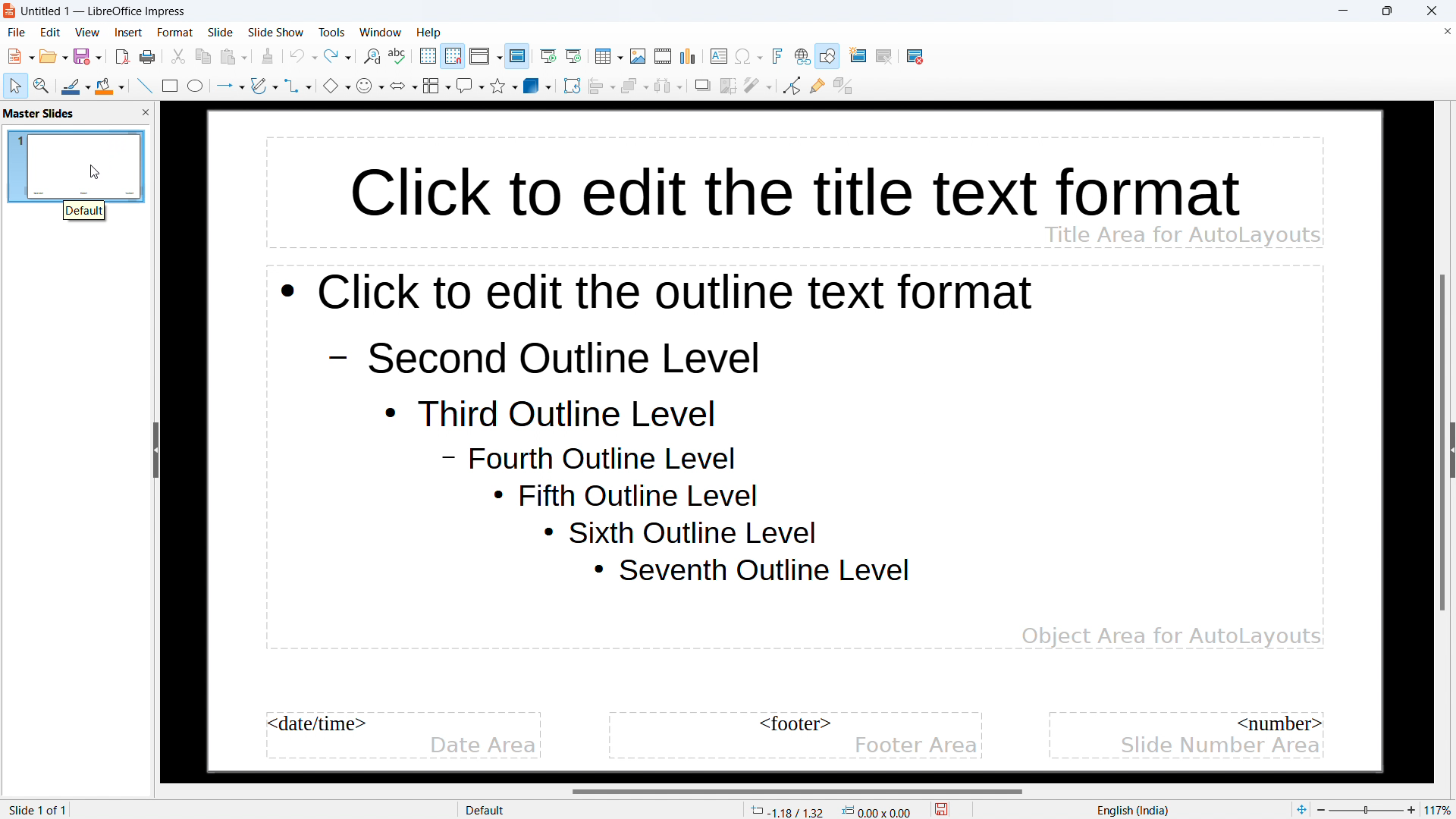 Image resolution: width=1456 pixels, height=819 pixels. What do you see at coordinates (485, 56) in the screenshot?
I see `display views` at bounding box center [485, 56].